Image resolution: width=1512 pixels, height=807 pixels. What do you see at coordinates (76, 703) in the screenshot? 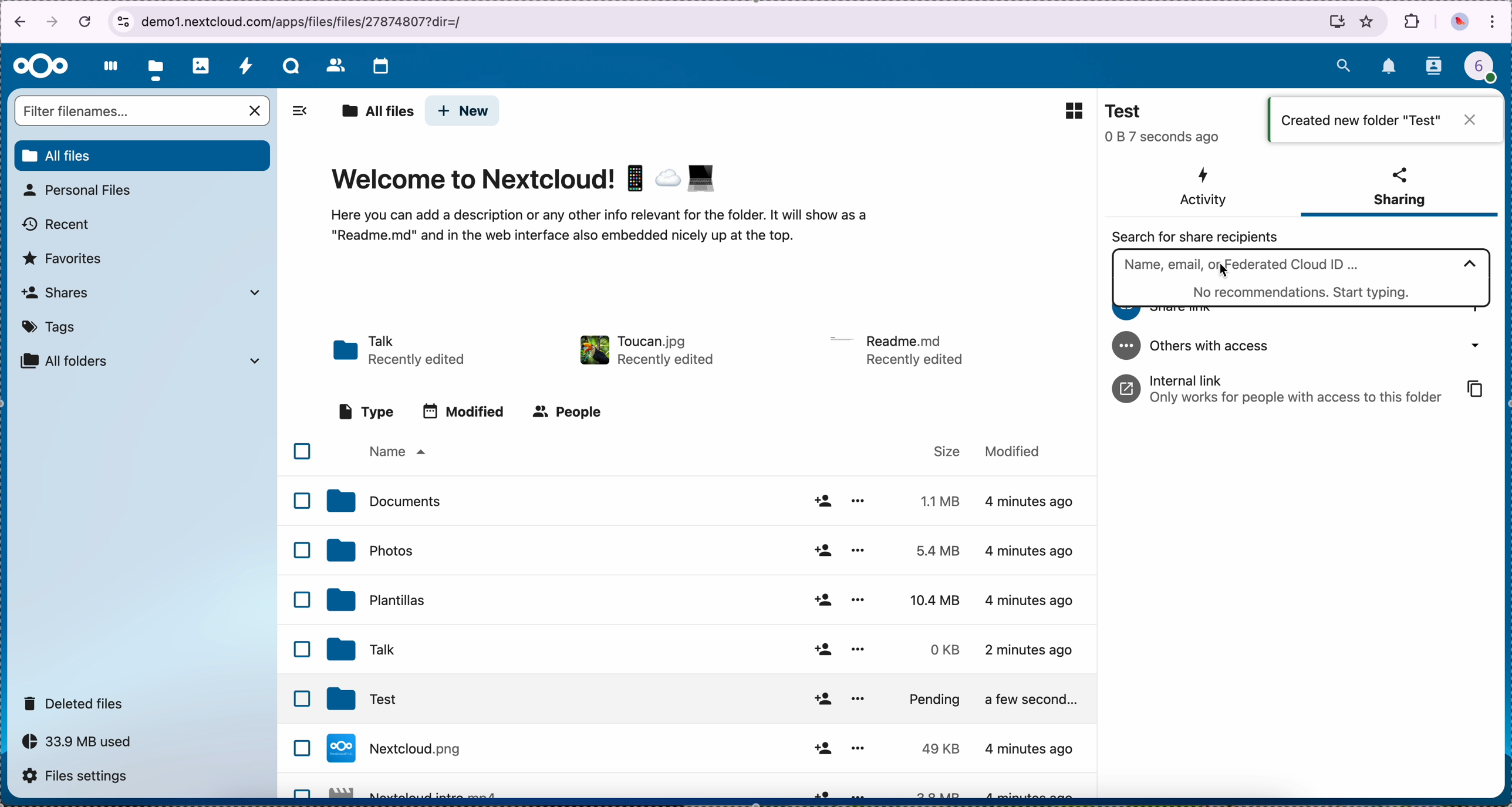
I see `deleted files` at bounding box center [76, 703].